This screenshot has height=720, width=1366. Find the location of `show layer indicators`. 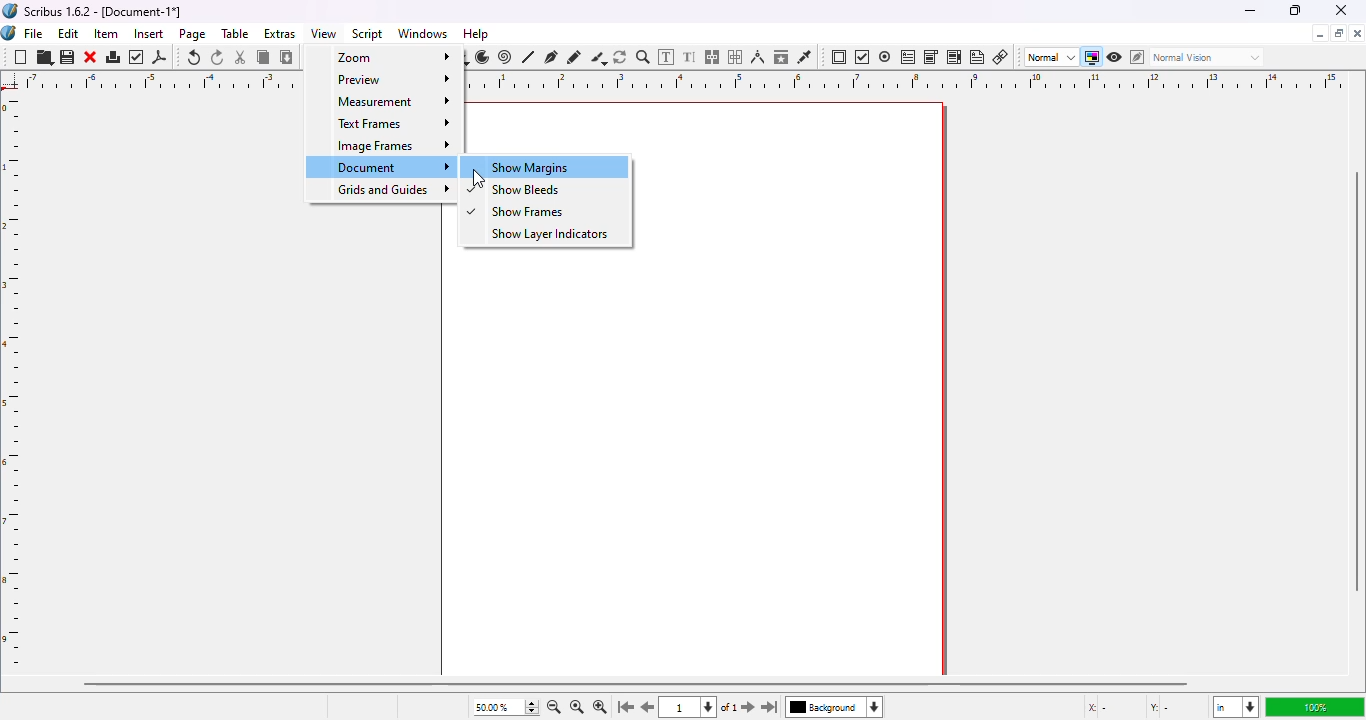

show layer indicators is located at coordinates (543, 234).